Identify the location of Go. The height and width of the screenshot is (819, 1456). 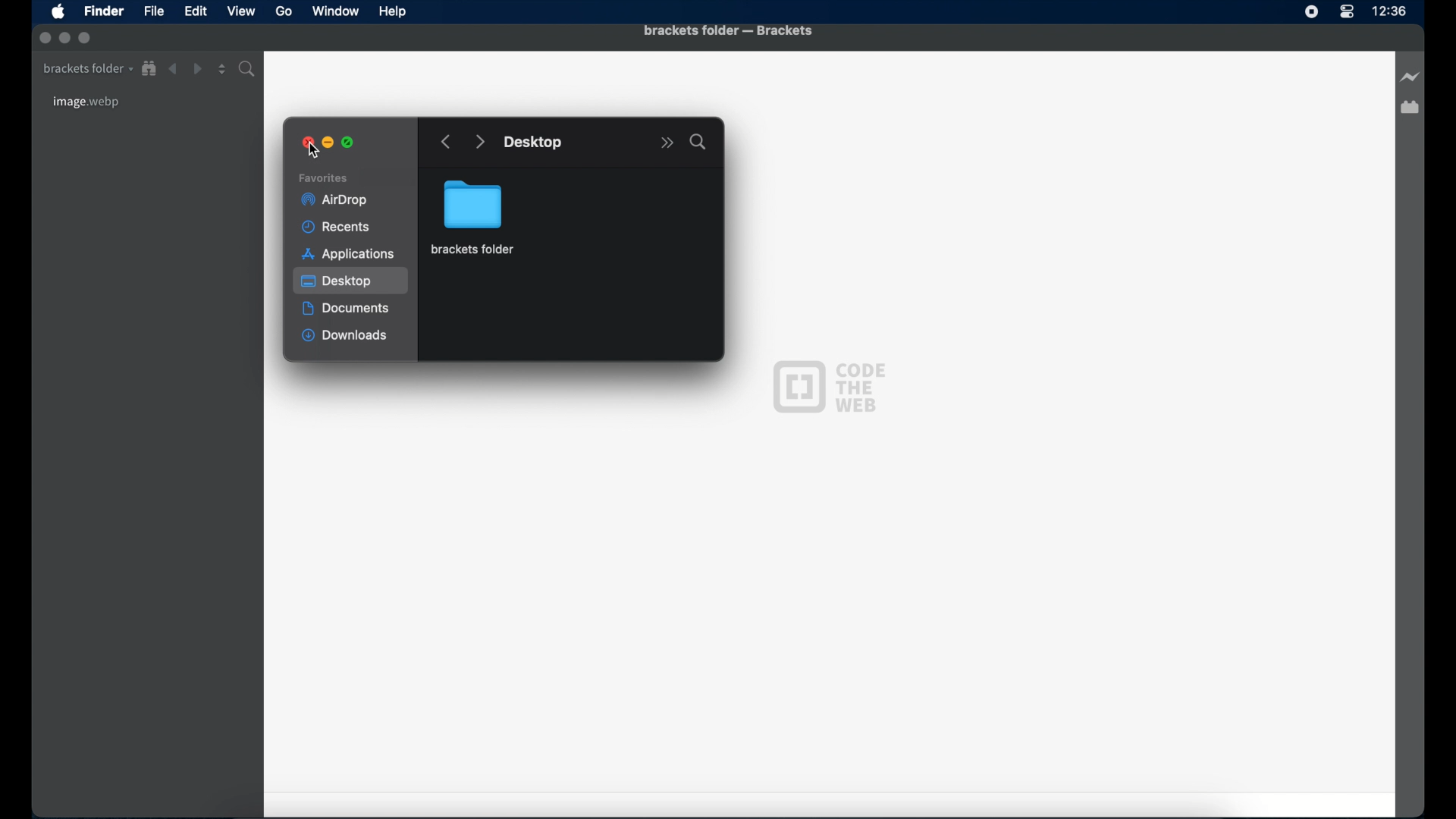
(284, 11).